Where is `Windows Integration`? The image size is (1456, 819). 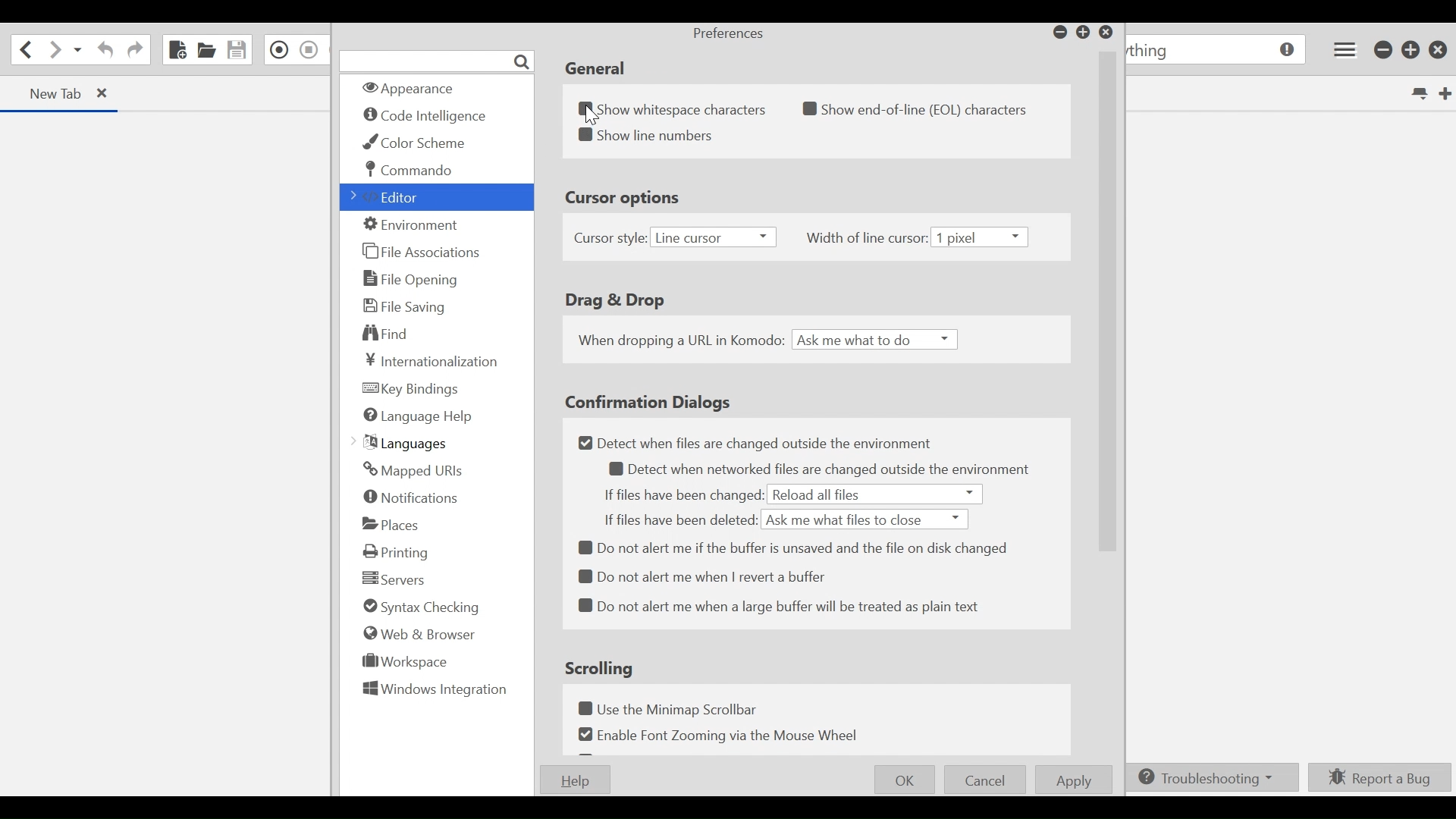 Windows Integration is located at coordinates (435, 690).